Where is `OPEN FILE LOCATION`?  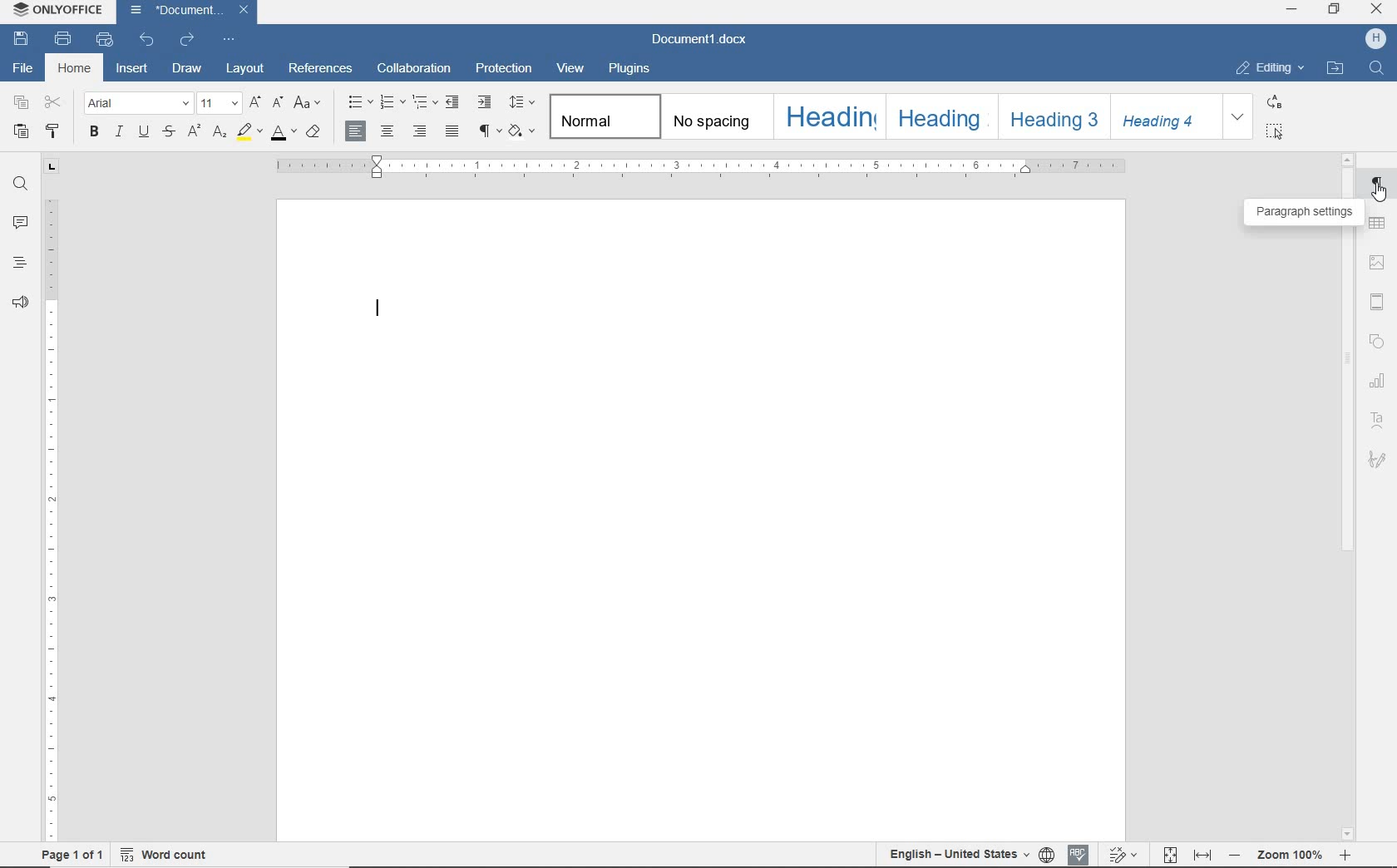 OPEN FILE LOCATION is located at coordinates (1336, 71).